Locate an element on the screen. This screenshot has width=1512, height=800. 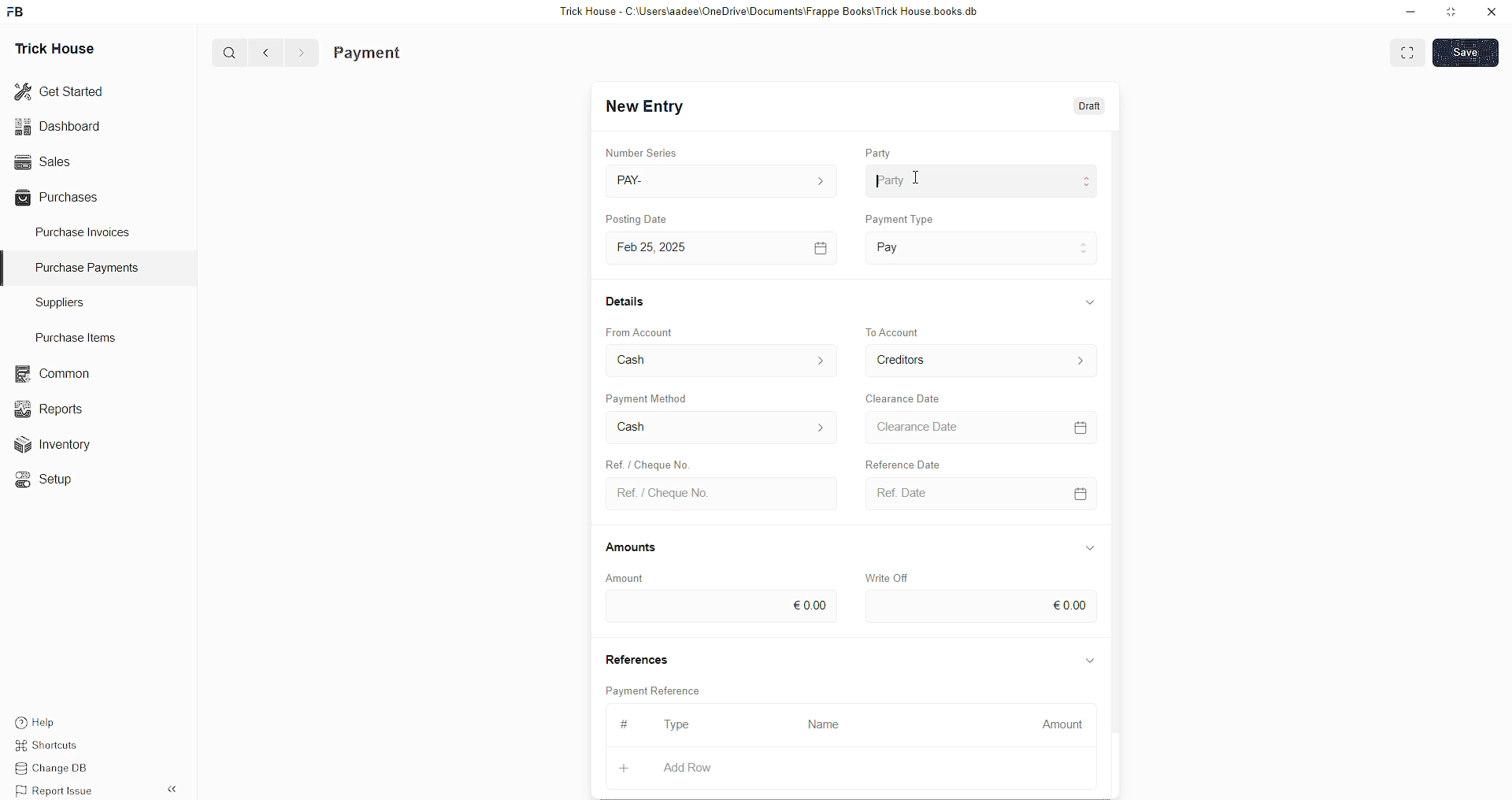
Ref Date is located at coordinates (895, 492).